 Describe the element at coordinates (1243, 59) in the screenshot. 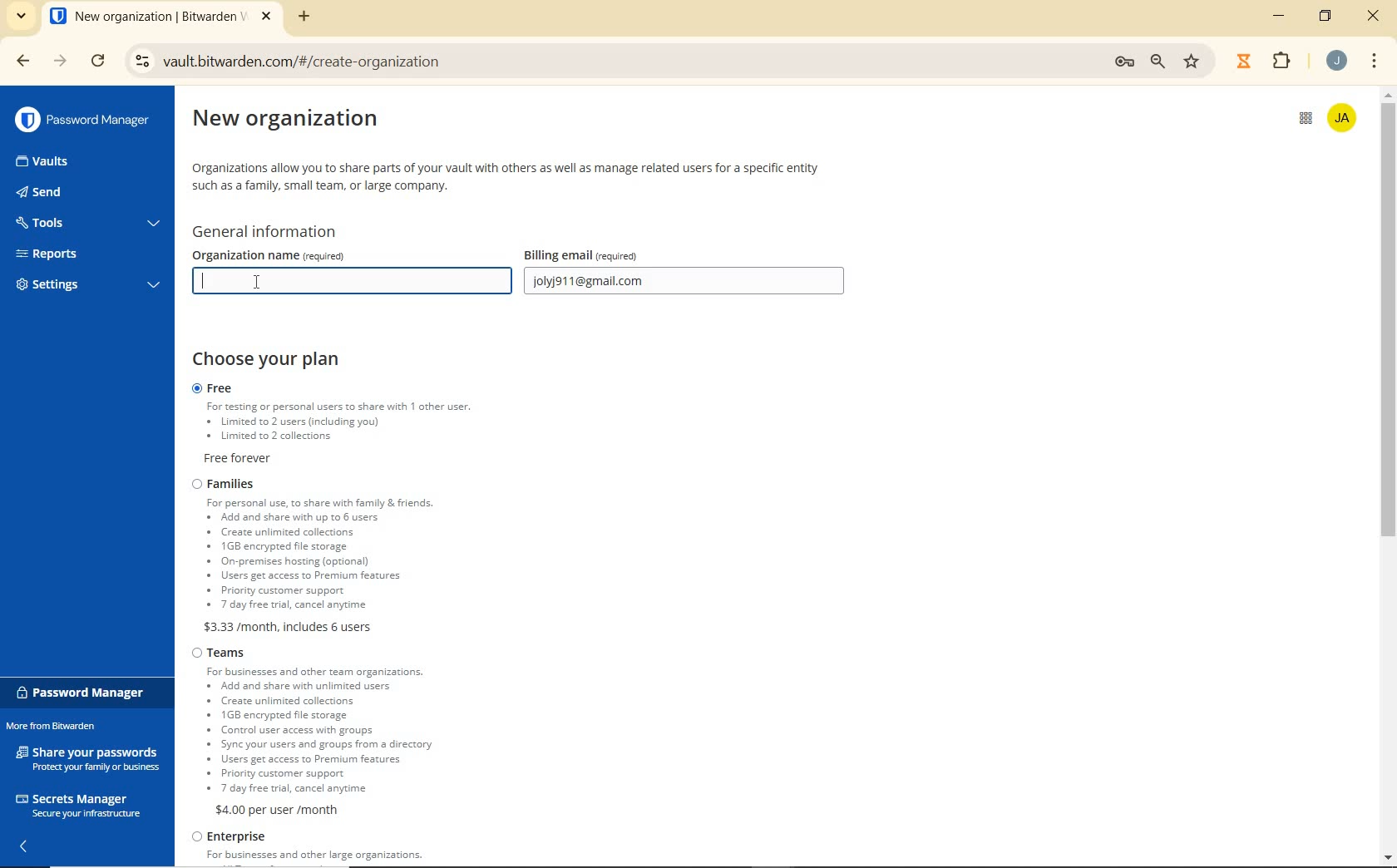

I see `JIBBLE` at that location.